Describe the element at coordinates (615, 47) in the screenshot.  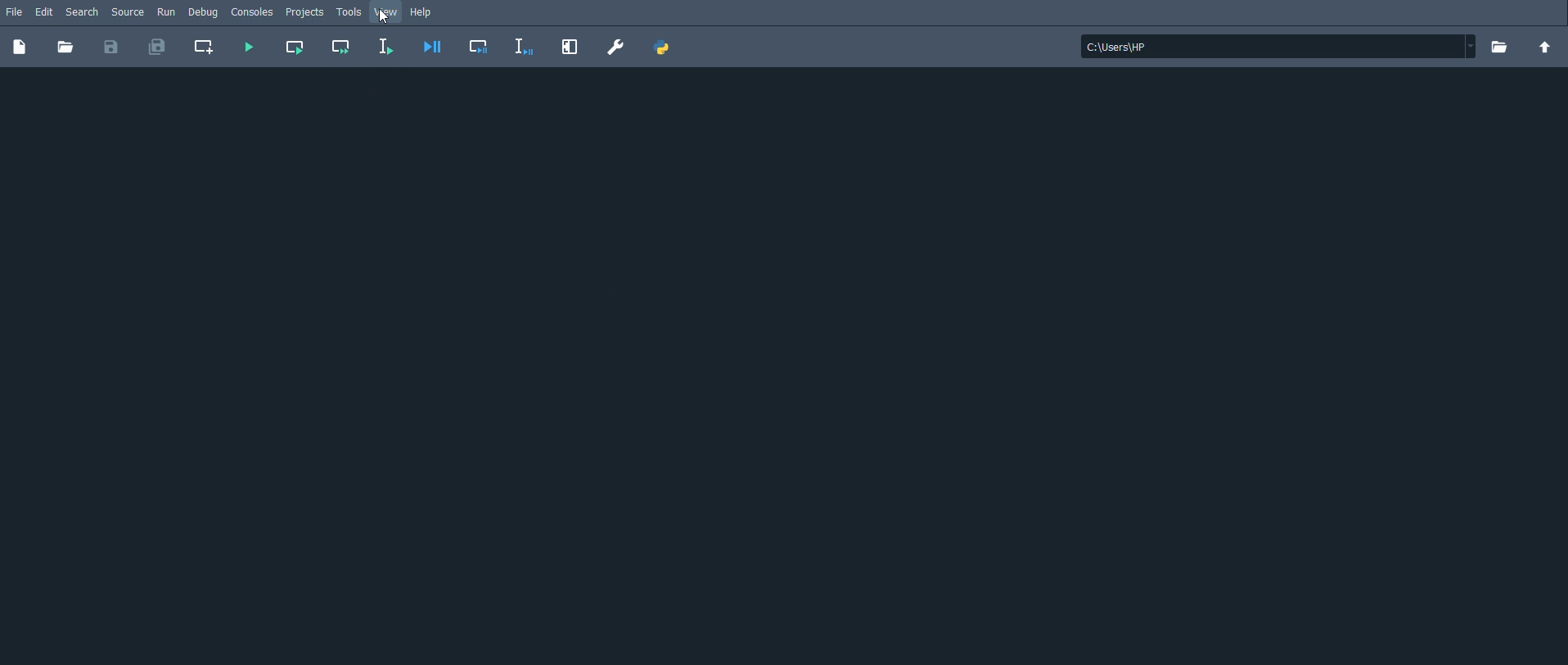
I see `Preferences` at that location.